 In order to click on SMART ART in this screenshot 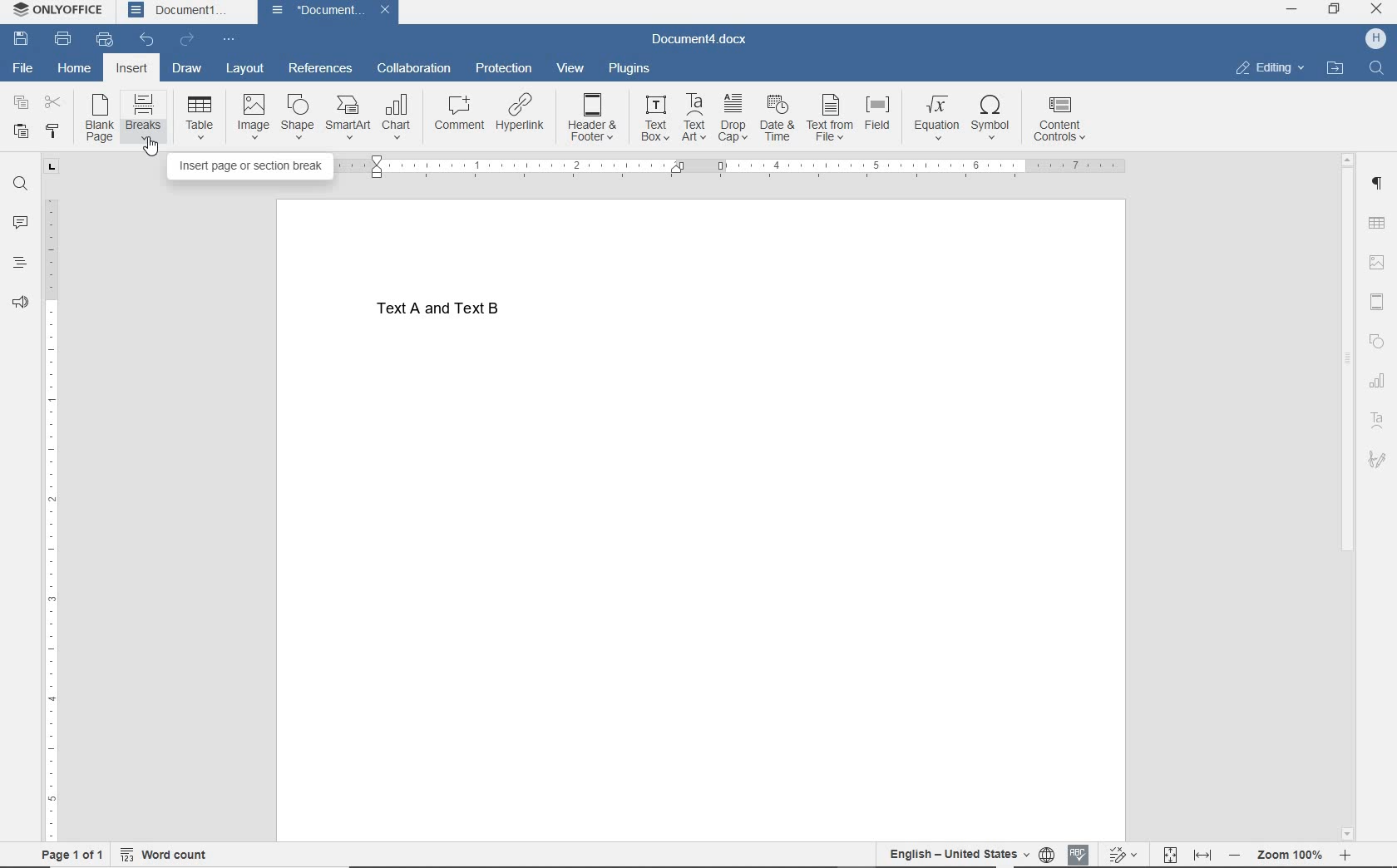, I will do `click(347, 118)`.